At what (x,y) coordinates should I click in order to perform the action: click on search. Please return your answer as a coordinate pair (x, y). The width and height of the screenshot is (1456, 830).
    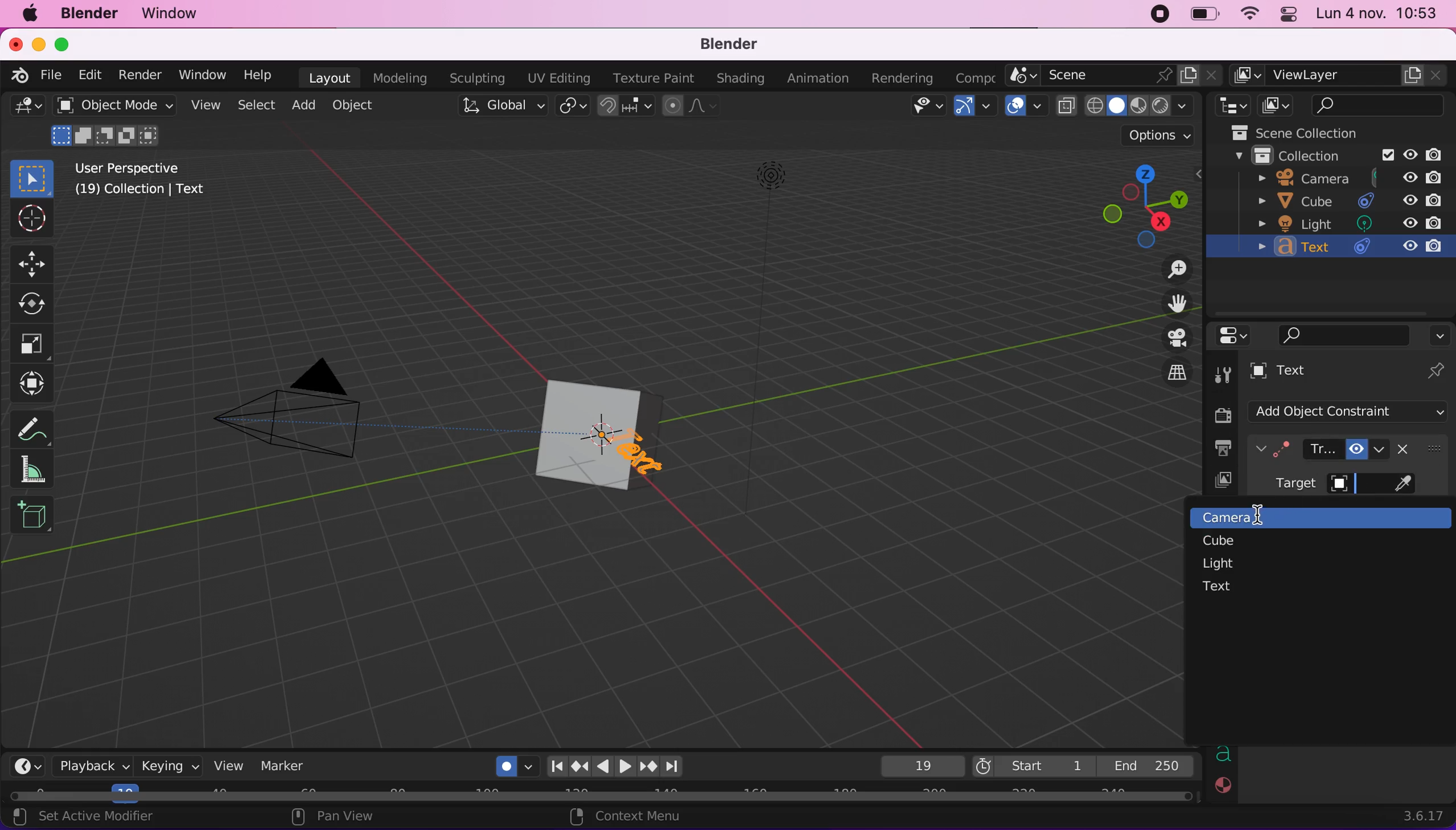
    Looking at the image, I should click on (1381, 107).